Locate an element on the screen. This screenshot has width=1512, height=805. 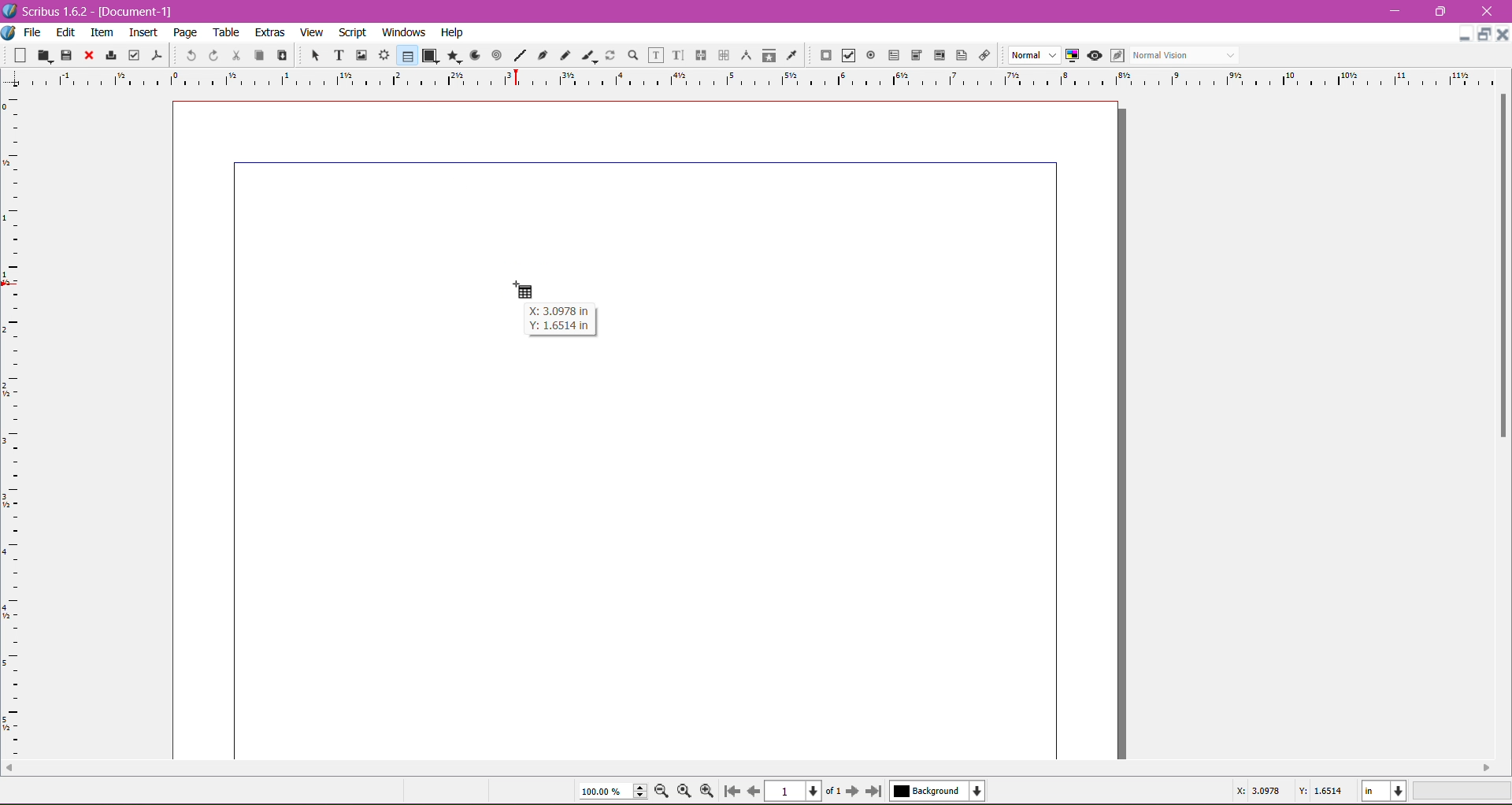
Freehand Line is located at coordinates (565, 56).